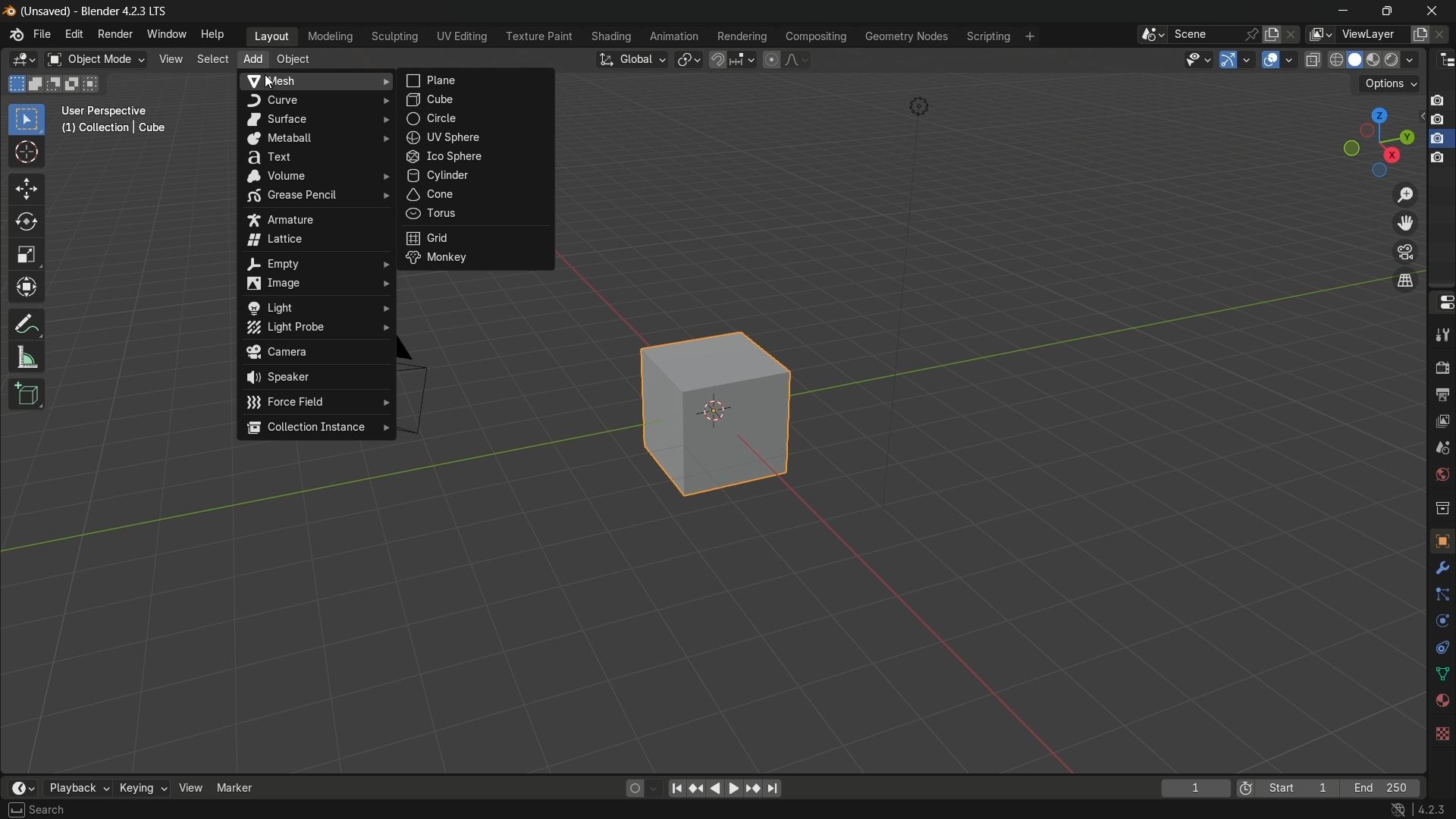 The height and width of the screenshot is (819, 1456). I want to click on data, so click(1439, 675).